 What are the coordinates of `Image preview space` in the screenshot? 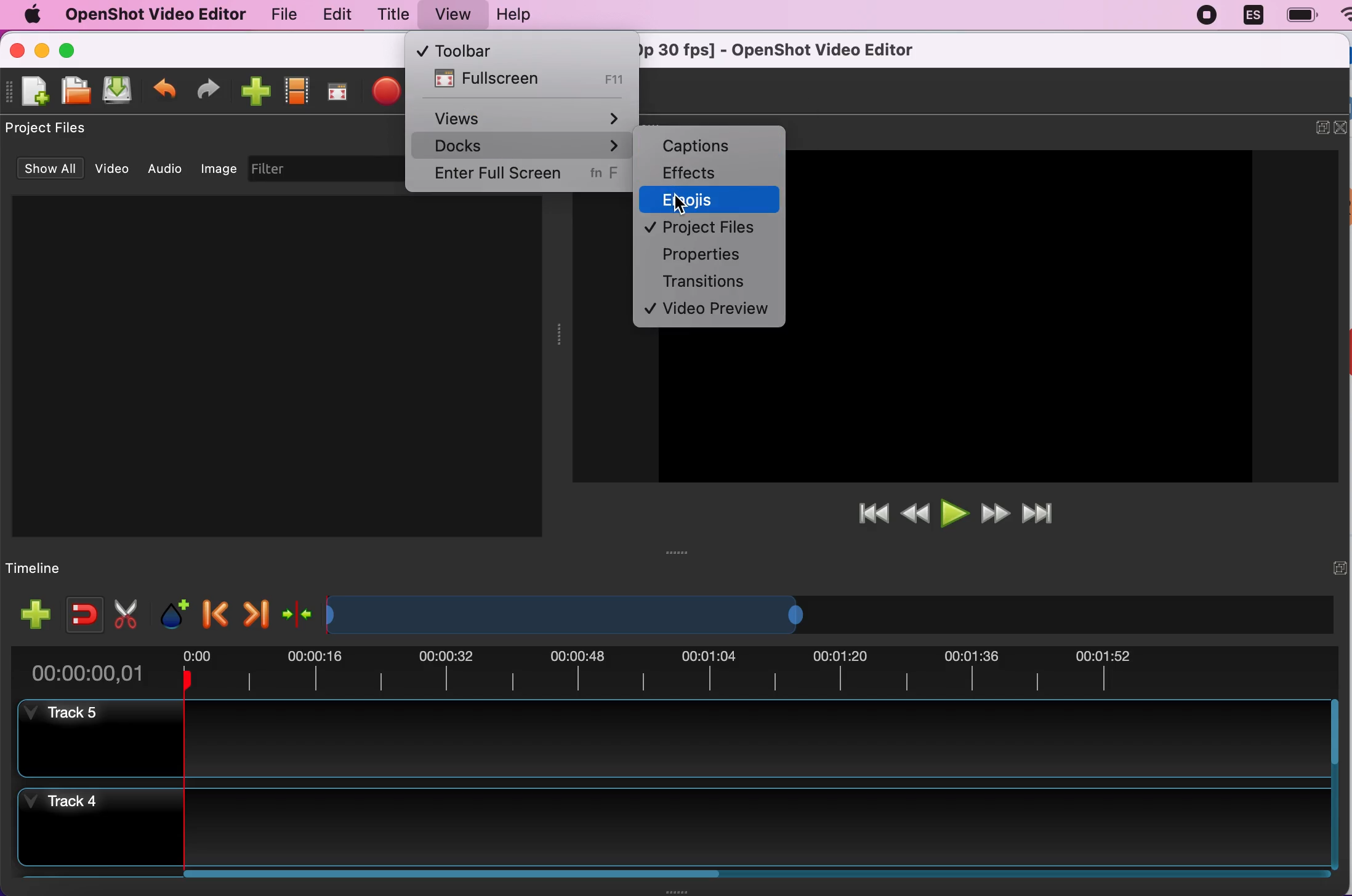 It's located at (1018, 316).